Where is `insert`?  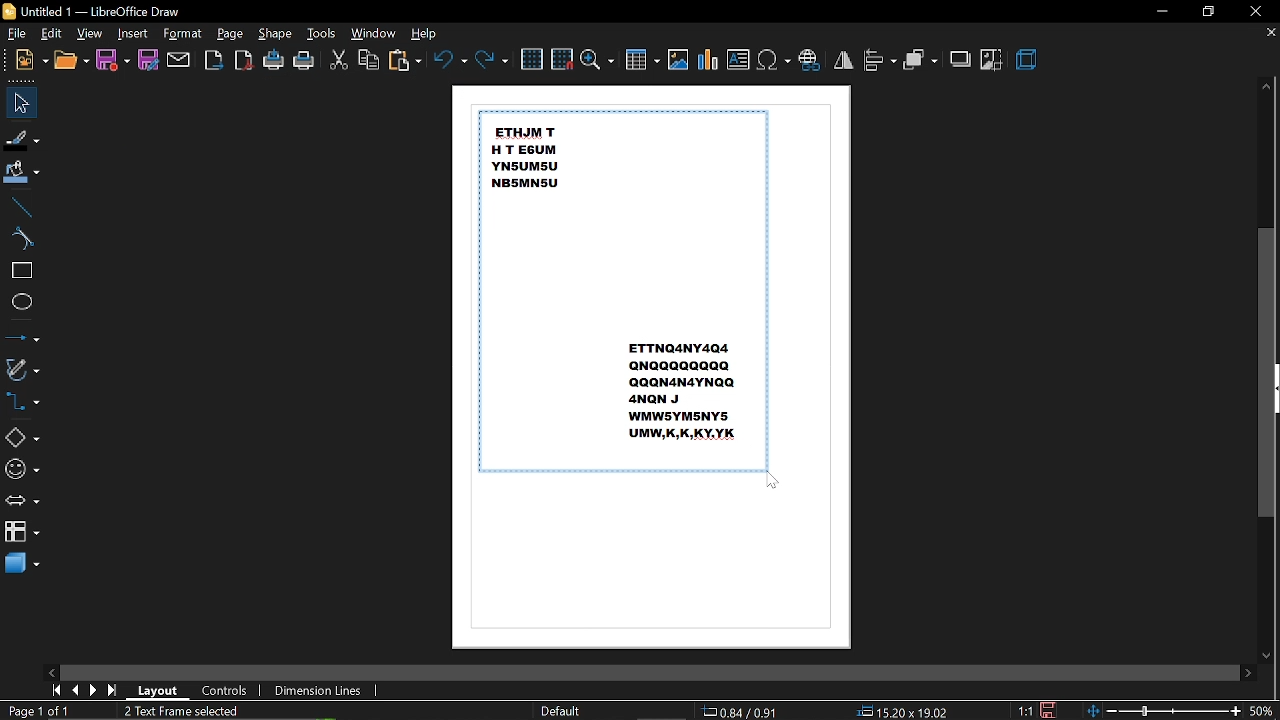
insert is located at coordinates (133, 34).